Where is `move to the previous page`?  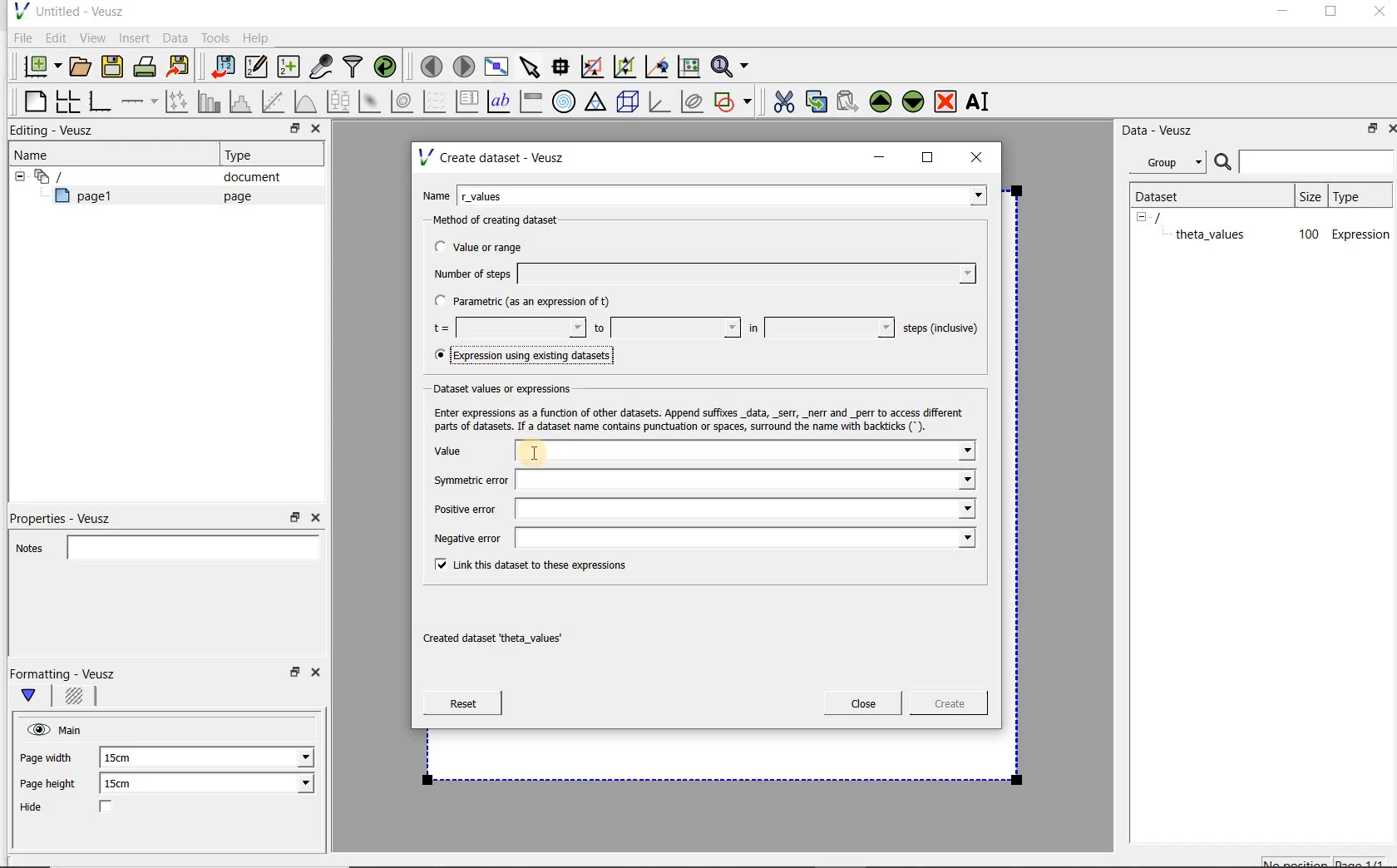 move to the previous page is located at coordinates (432, 64).